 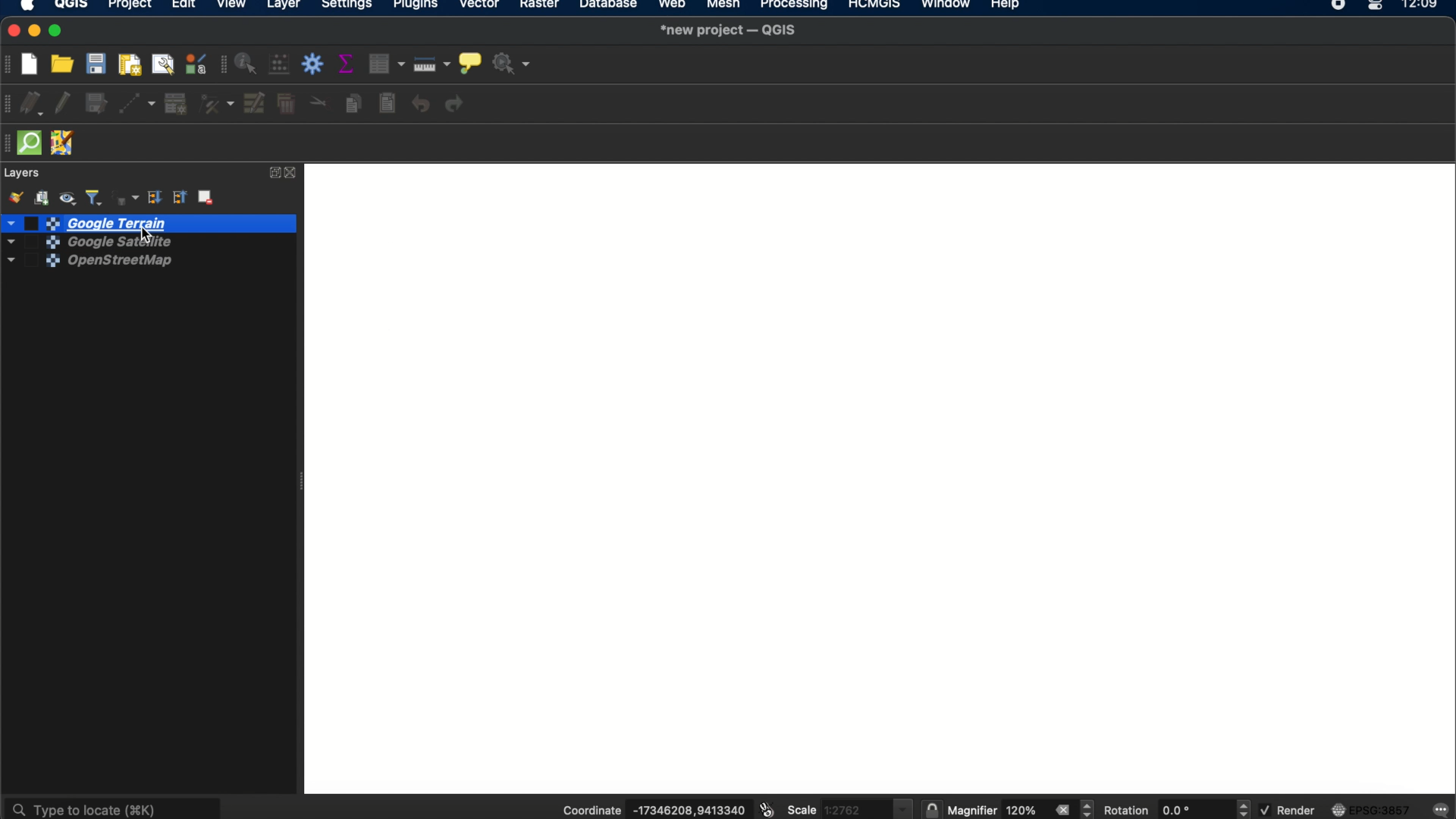 What do you see at coordinates (1244, 809) in the screenshot?
I see `rotation` at bounding box center [1244, 809].